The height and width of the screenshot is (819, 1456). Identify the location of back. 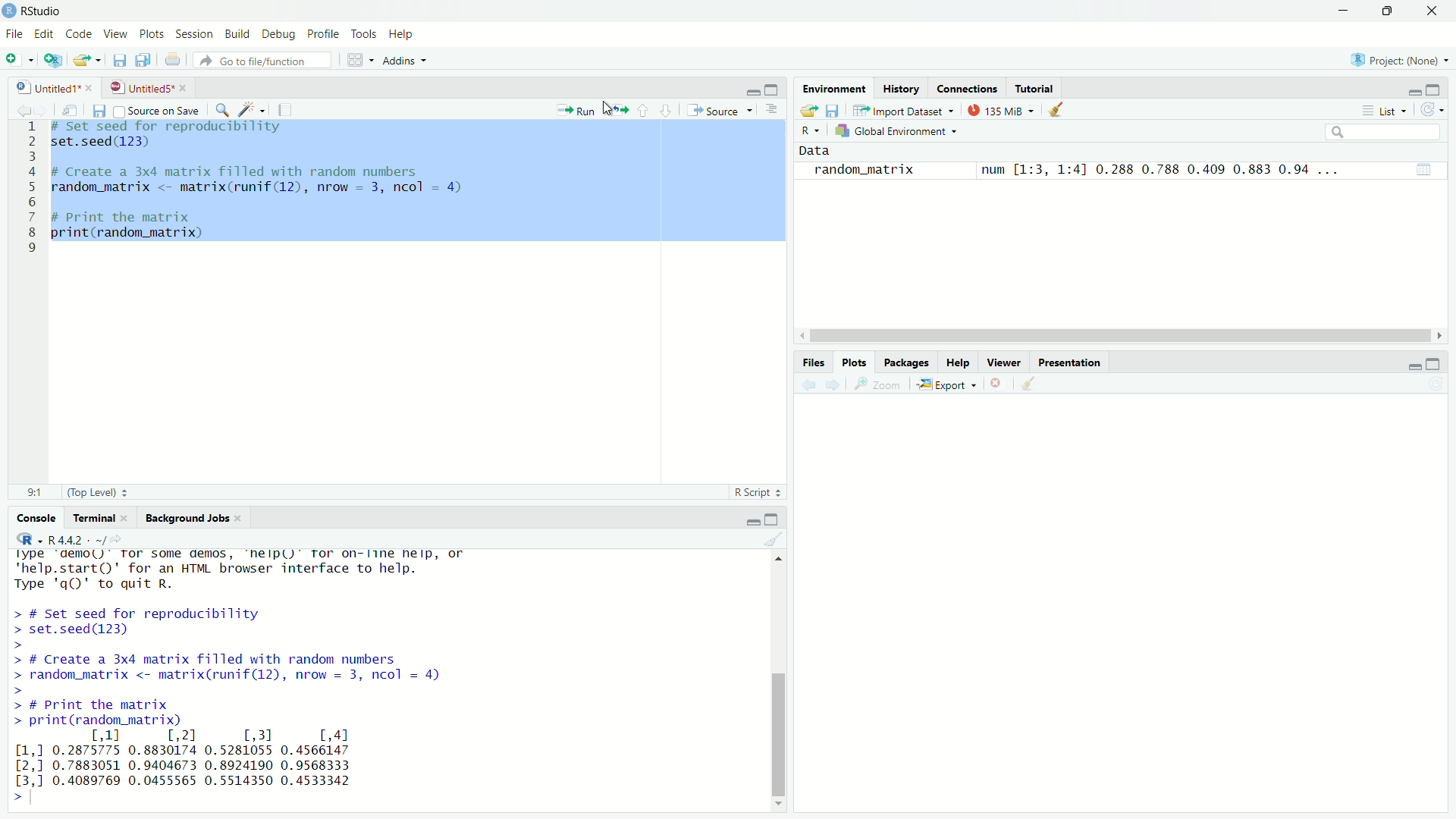
(810, 386).